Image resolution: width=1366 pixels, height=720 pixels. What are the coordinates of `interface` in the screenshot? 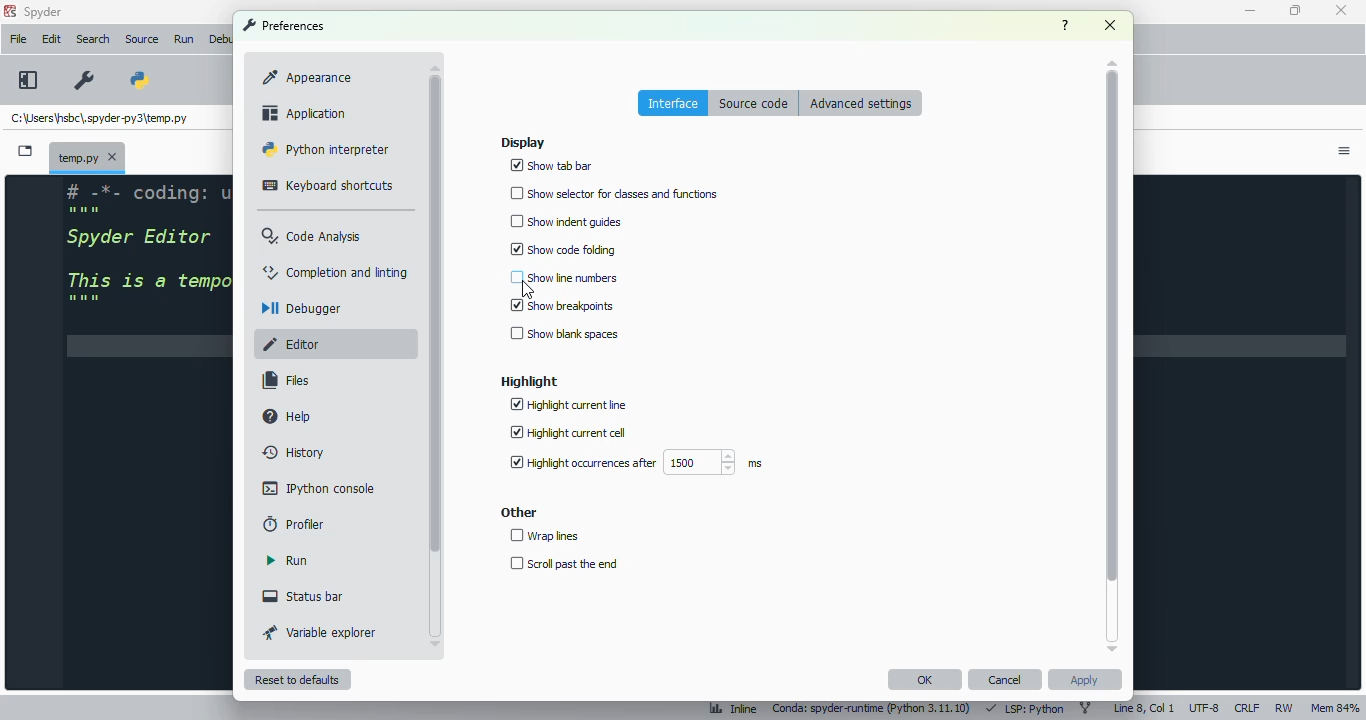 It's located at (674, 103).